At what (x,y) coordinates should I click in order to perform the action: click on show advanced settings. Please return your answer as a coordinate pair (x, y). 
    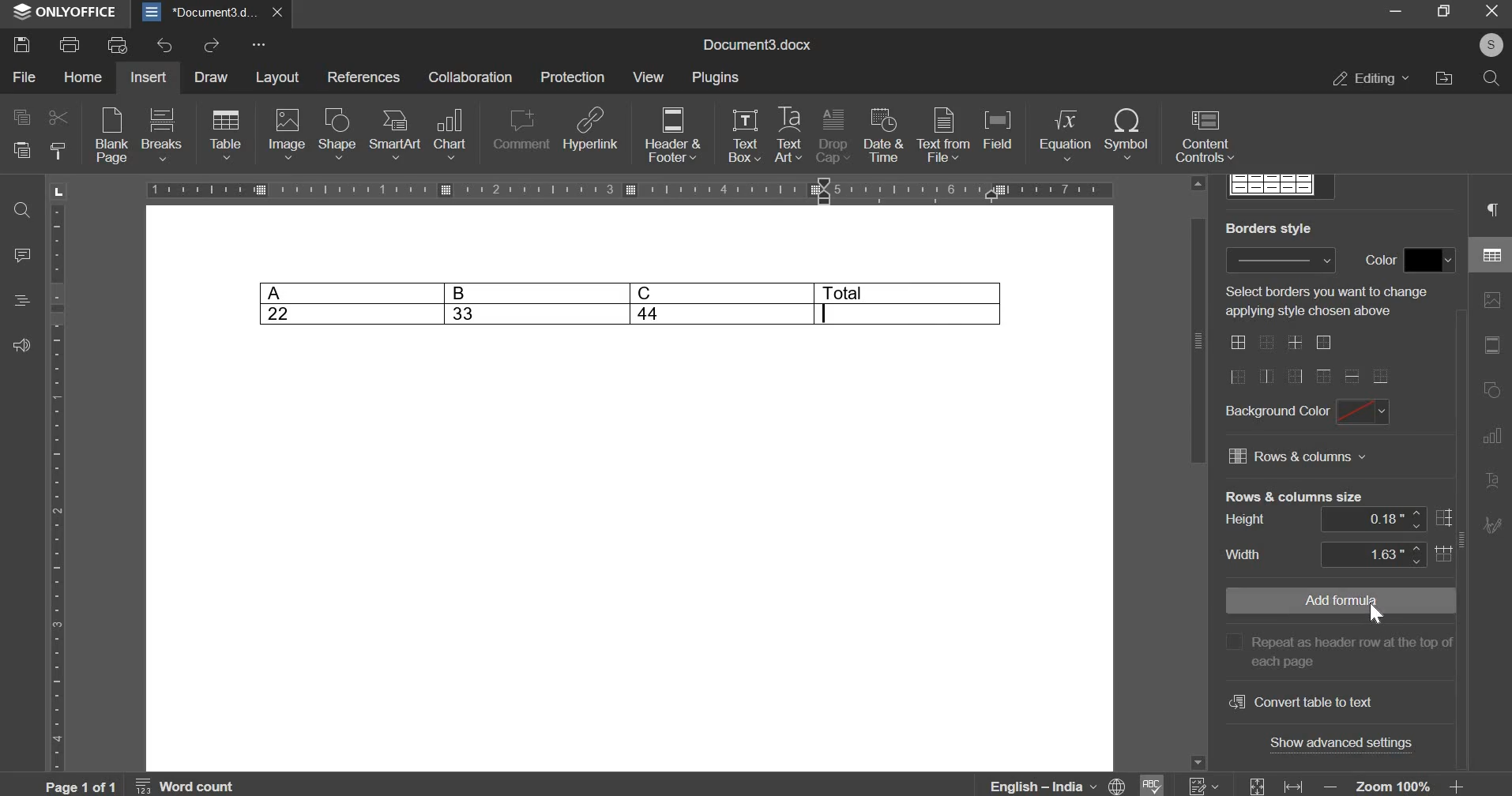
    Looking at the image, I should click on (1342, 742).